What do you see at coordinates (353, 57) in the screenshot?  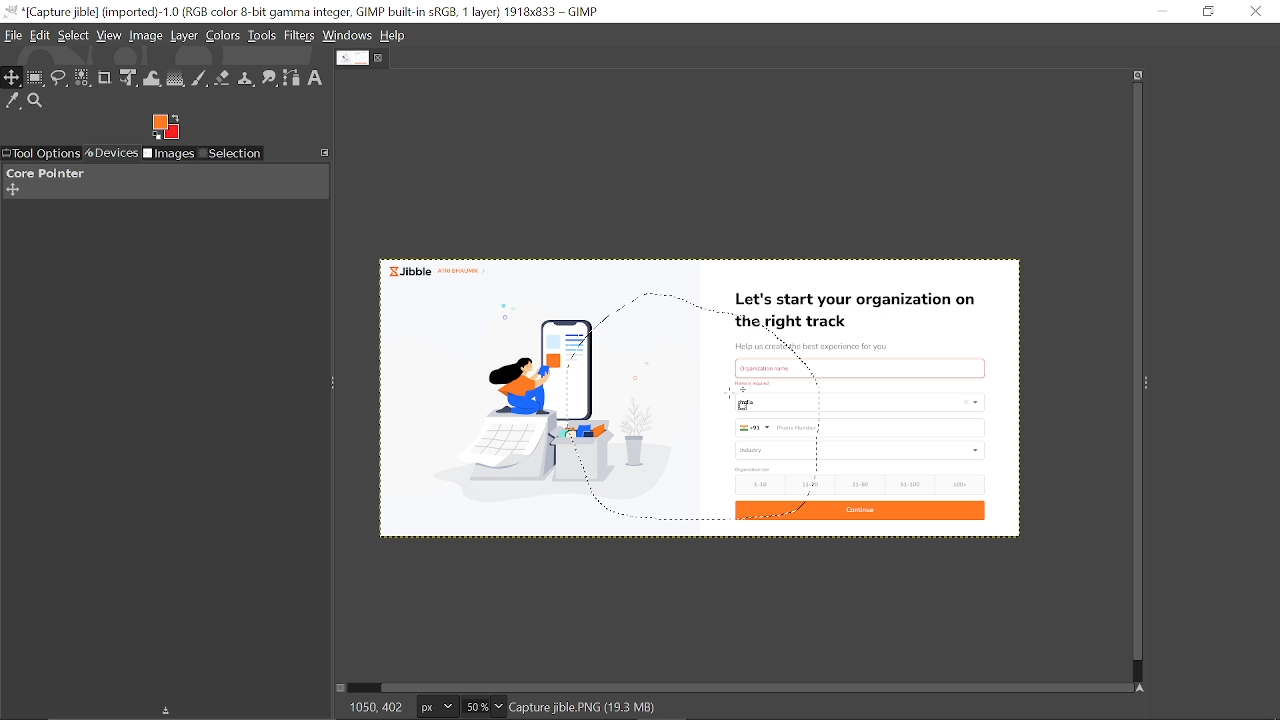 I see `Current tab` at bounding box center [353, 57].